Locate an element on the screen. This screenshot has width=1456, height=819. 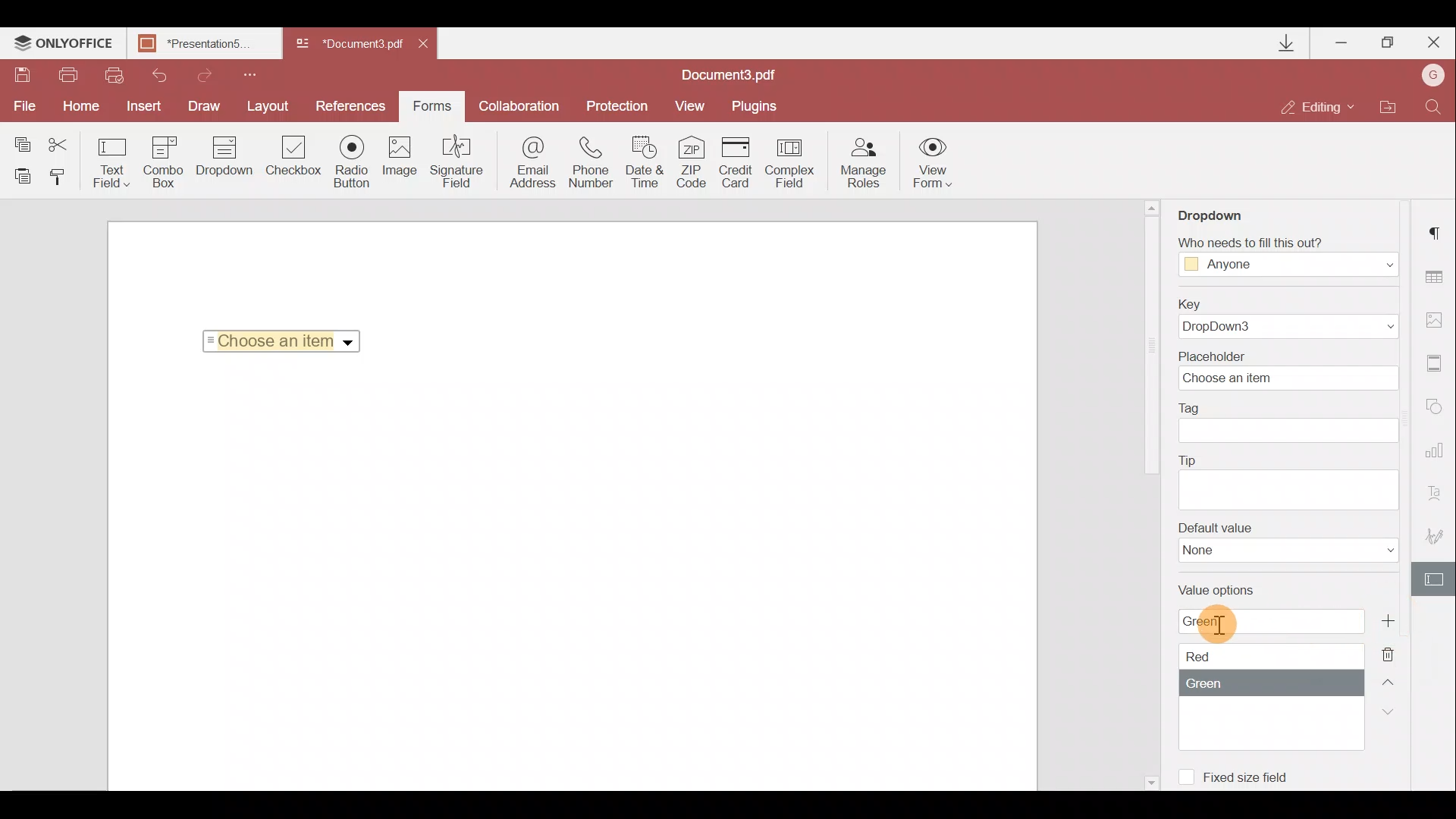
Default value is located at coordinates (1282, 547).